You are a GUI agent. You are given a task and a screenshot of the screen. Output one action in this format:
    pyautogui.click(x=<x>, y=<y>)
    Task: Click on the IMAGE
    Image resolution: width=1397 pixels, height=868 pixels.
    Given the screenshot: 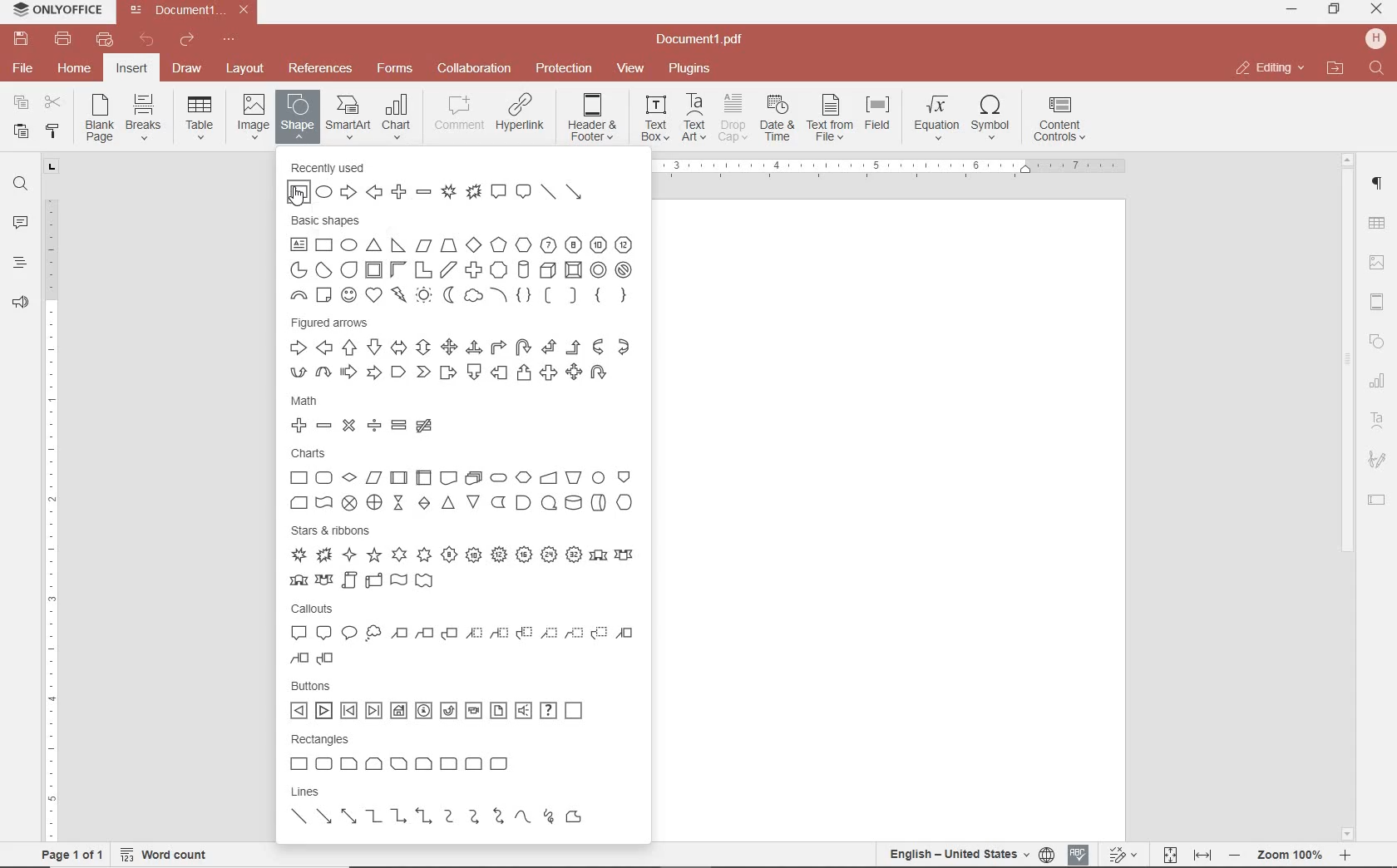 What is the action you would take?
    pyautogui.click(x=1378, y=264)
    